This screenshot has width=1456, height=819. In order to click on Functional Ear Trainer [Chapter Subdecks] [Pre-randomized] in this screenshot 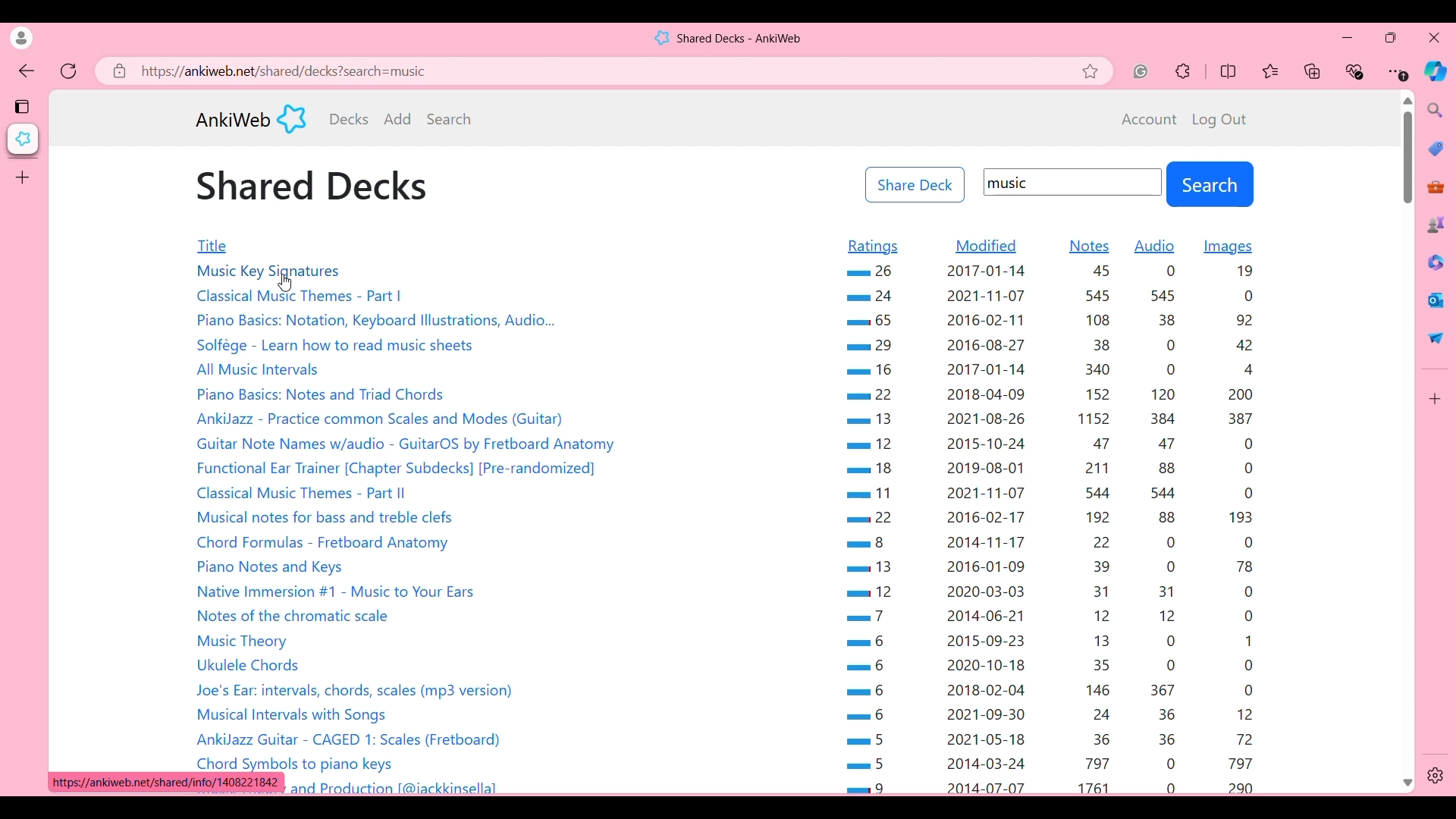, I will do `click(399, 469)`.